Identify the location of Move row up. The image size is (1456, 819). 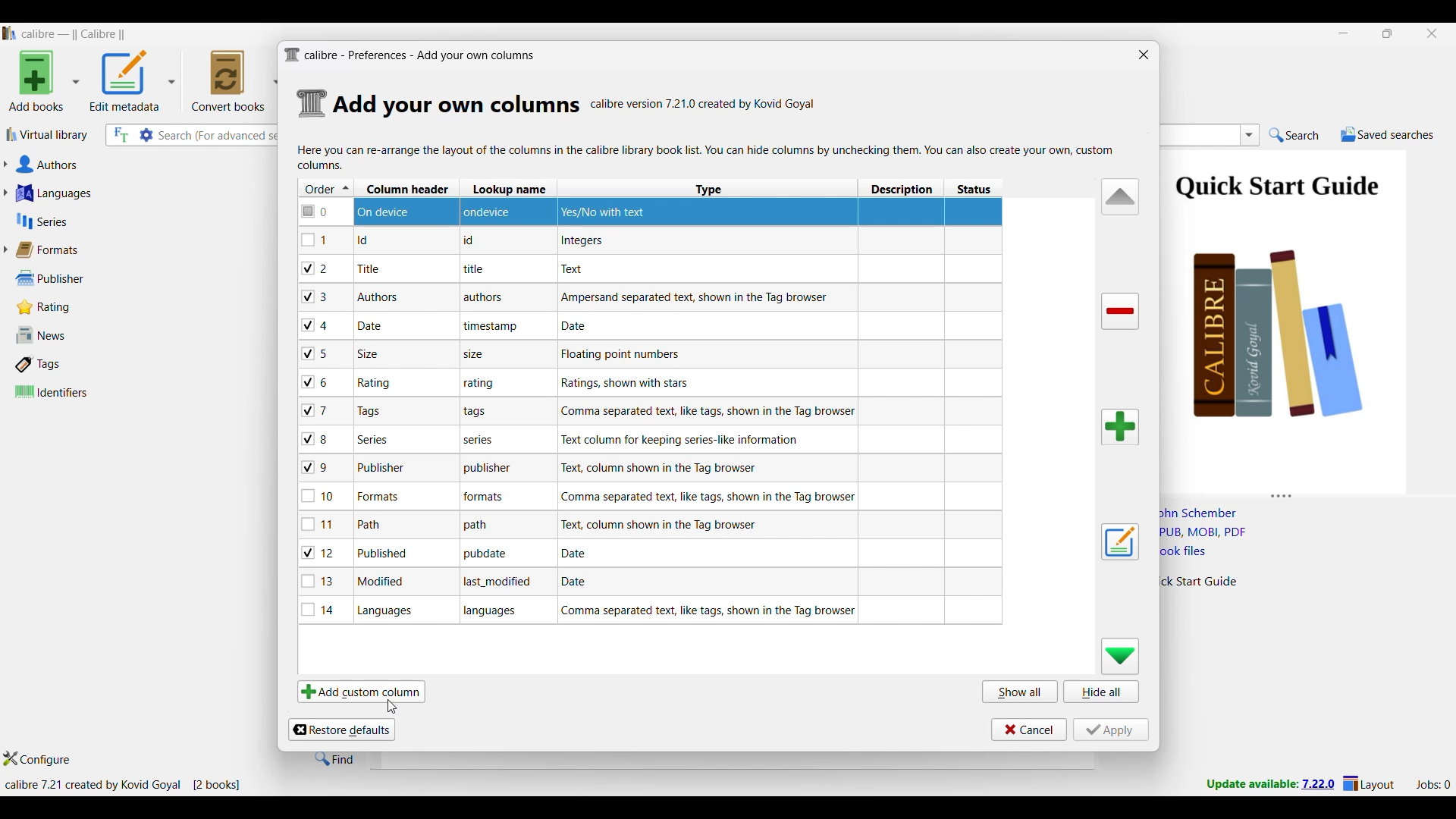
(1121, 196).